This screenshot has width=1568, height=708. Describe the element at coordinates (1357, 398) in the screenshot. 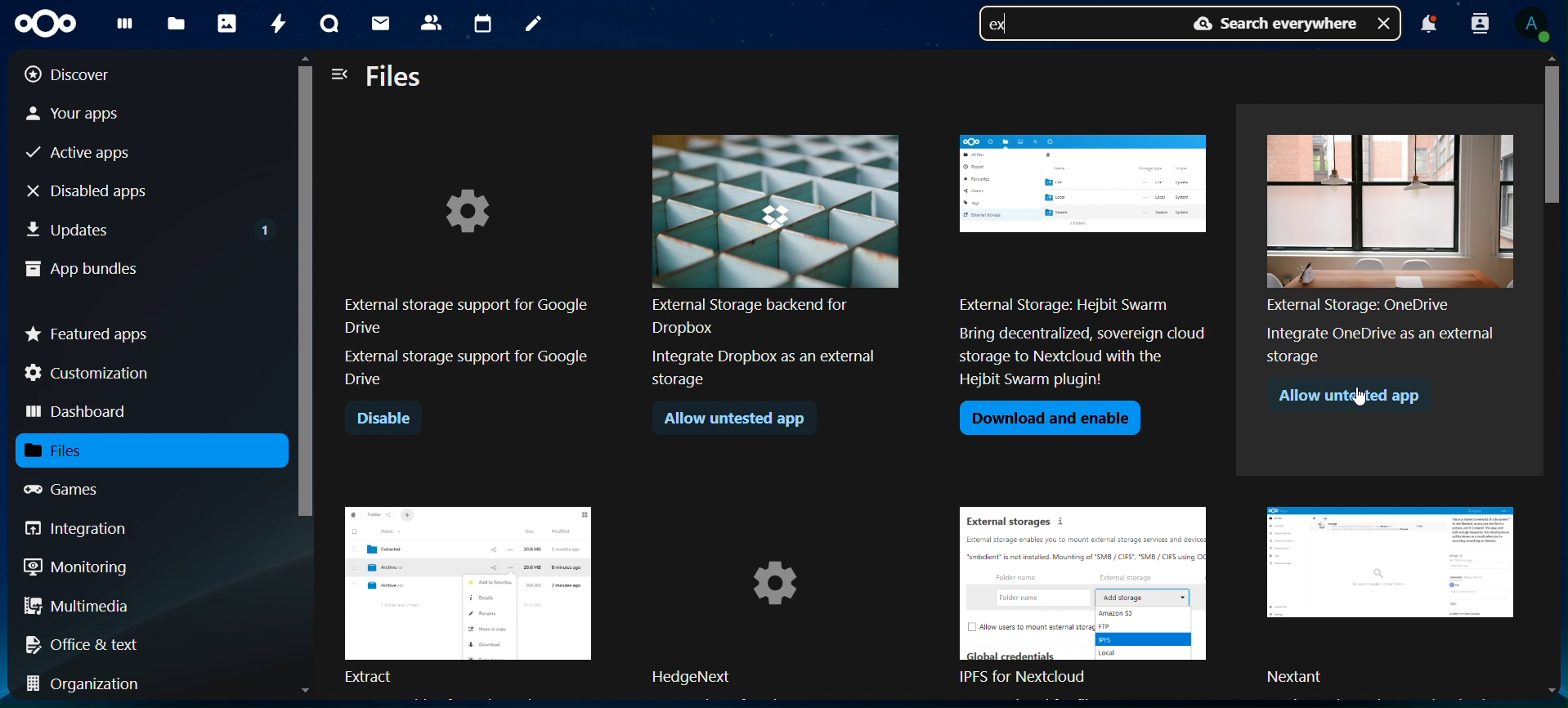

I see `allow untested app` at that location.